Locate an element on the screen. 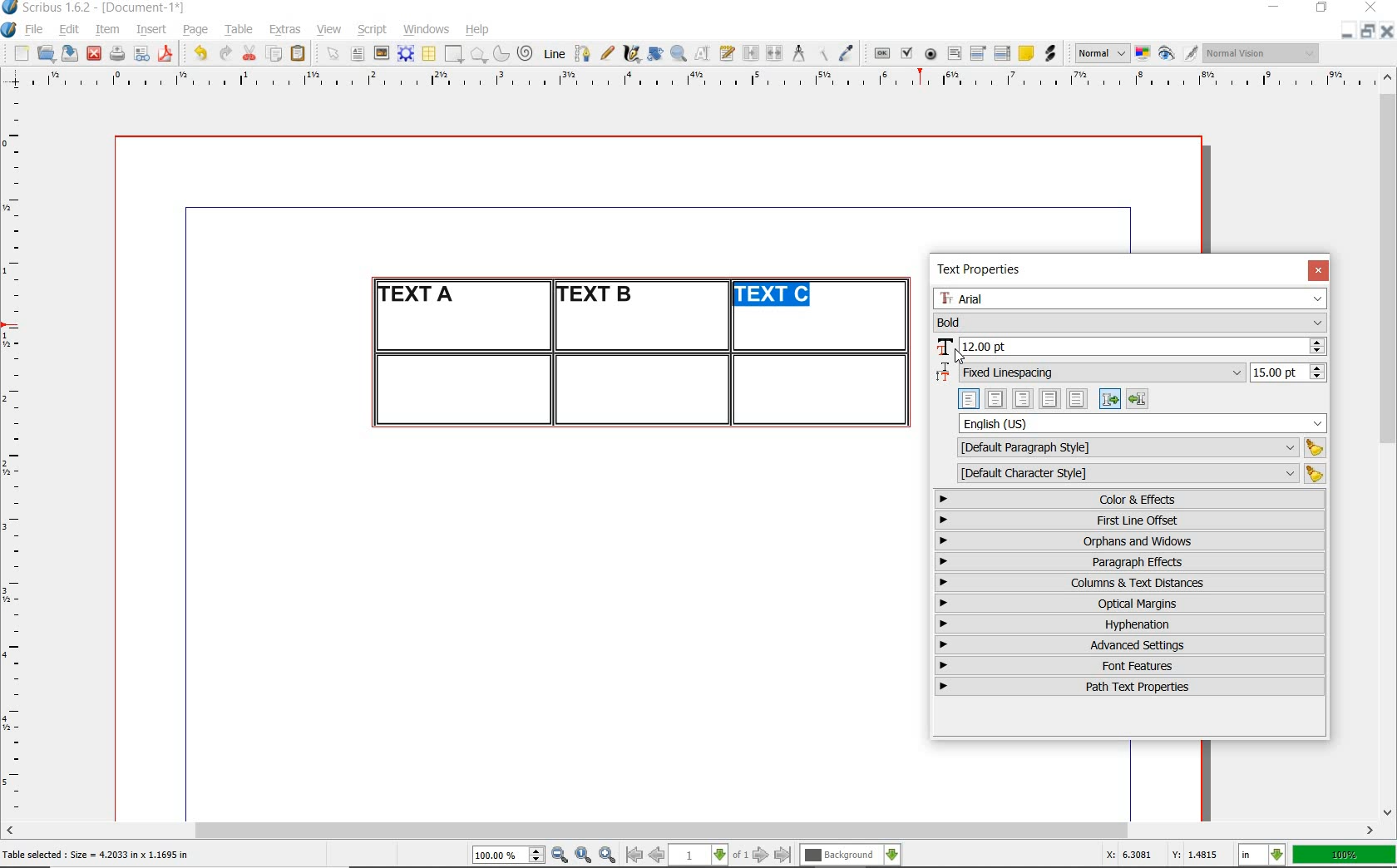 The height and width of the screenshot is (868, 1397). image frame is located at coordinates (383, 53).